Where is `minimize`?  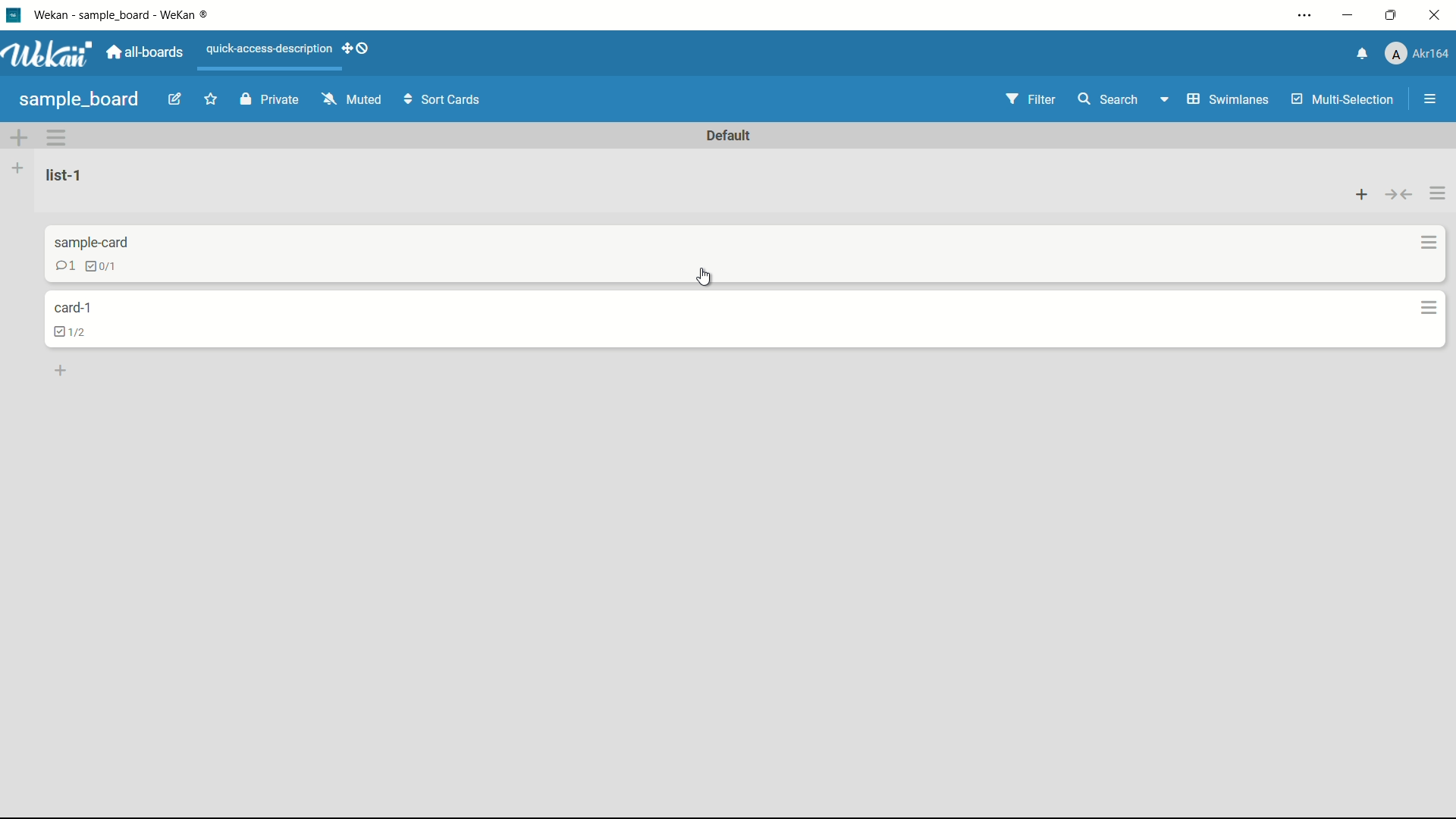 minimize is located at coordinates (1350, 15).